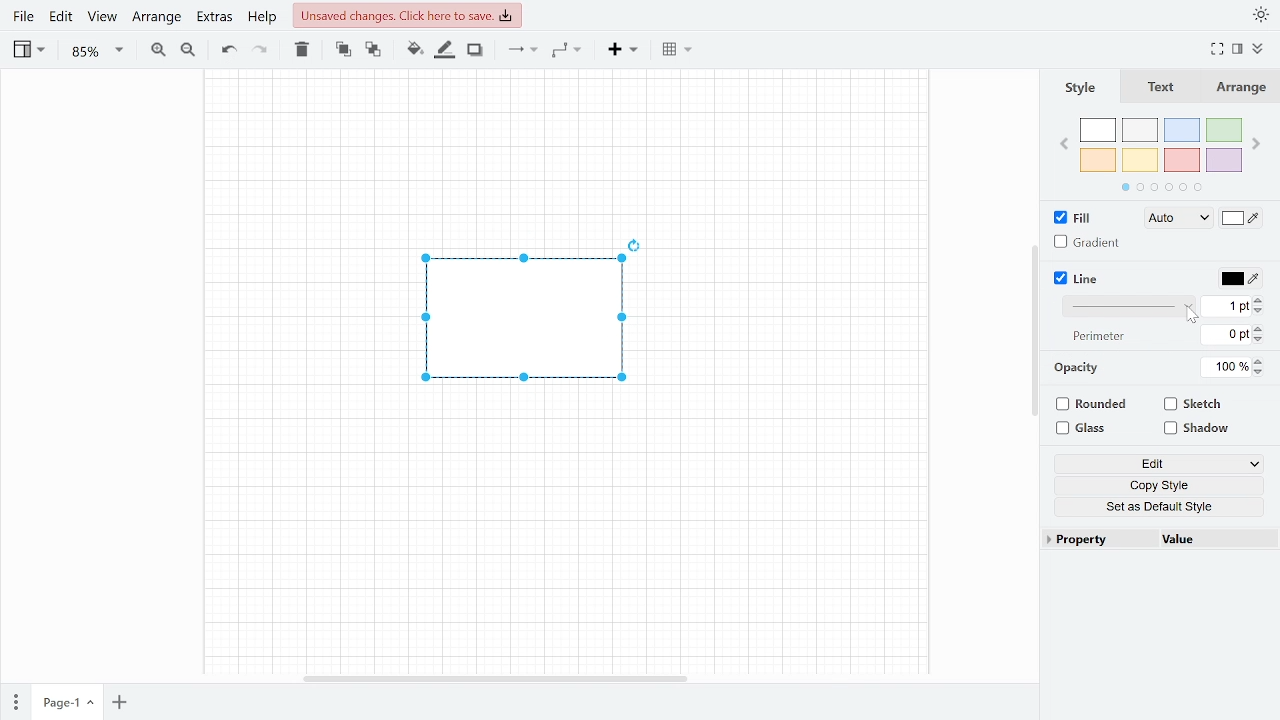 Image resolution: width=1280 pixels, height=720 pixels. What do you see at coordinates (1243, 86) in the screenshot?
I see `Arrange` at bounding box center [1243, 86].